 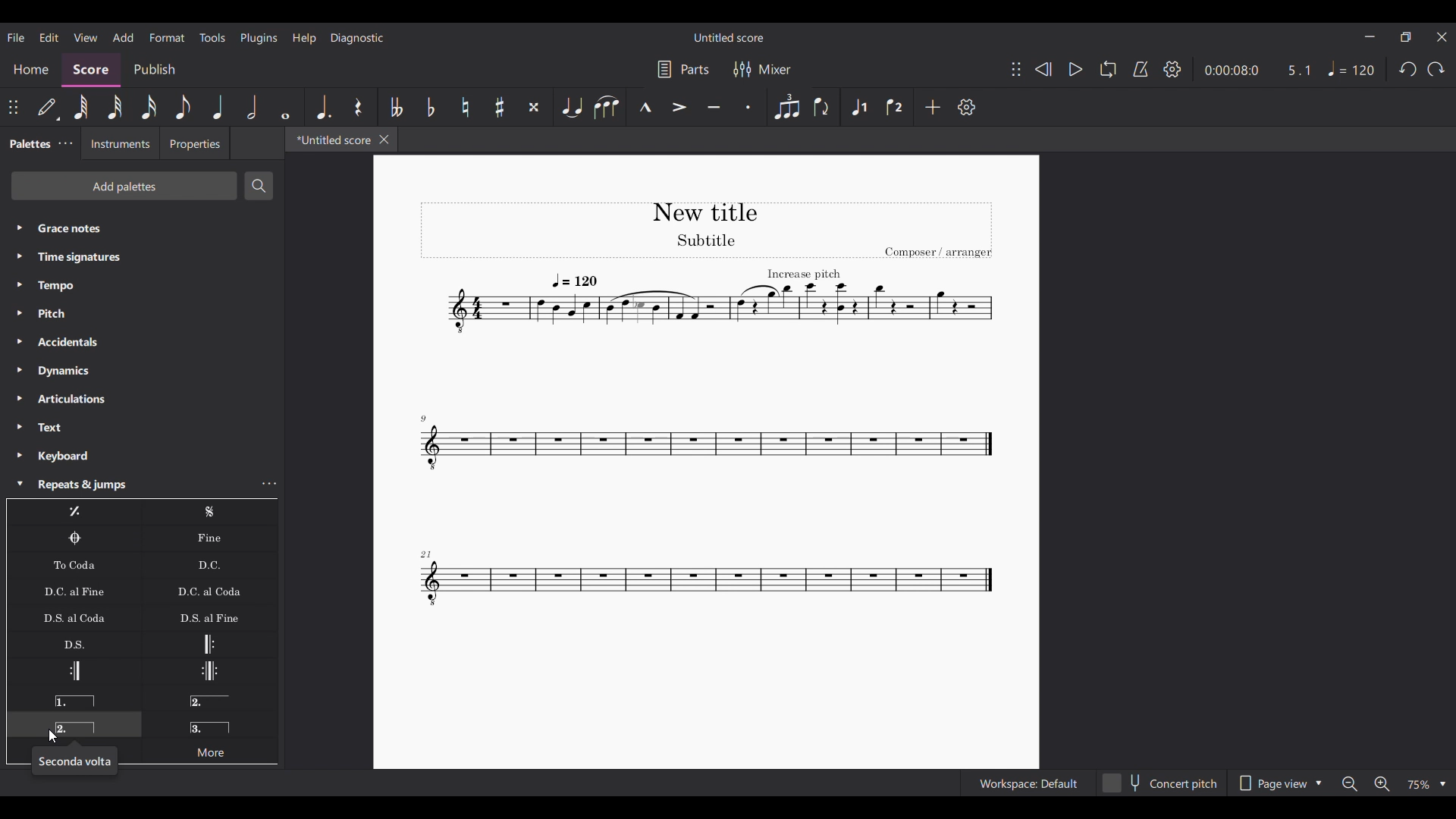 What do you see at coordinates (1075, 70) in the screenshot?
I see `Play` at bounding box center [1075, 70].